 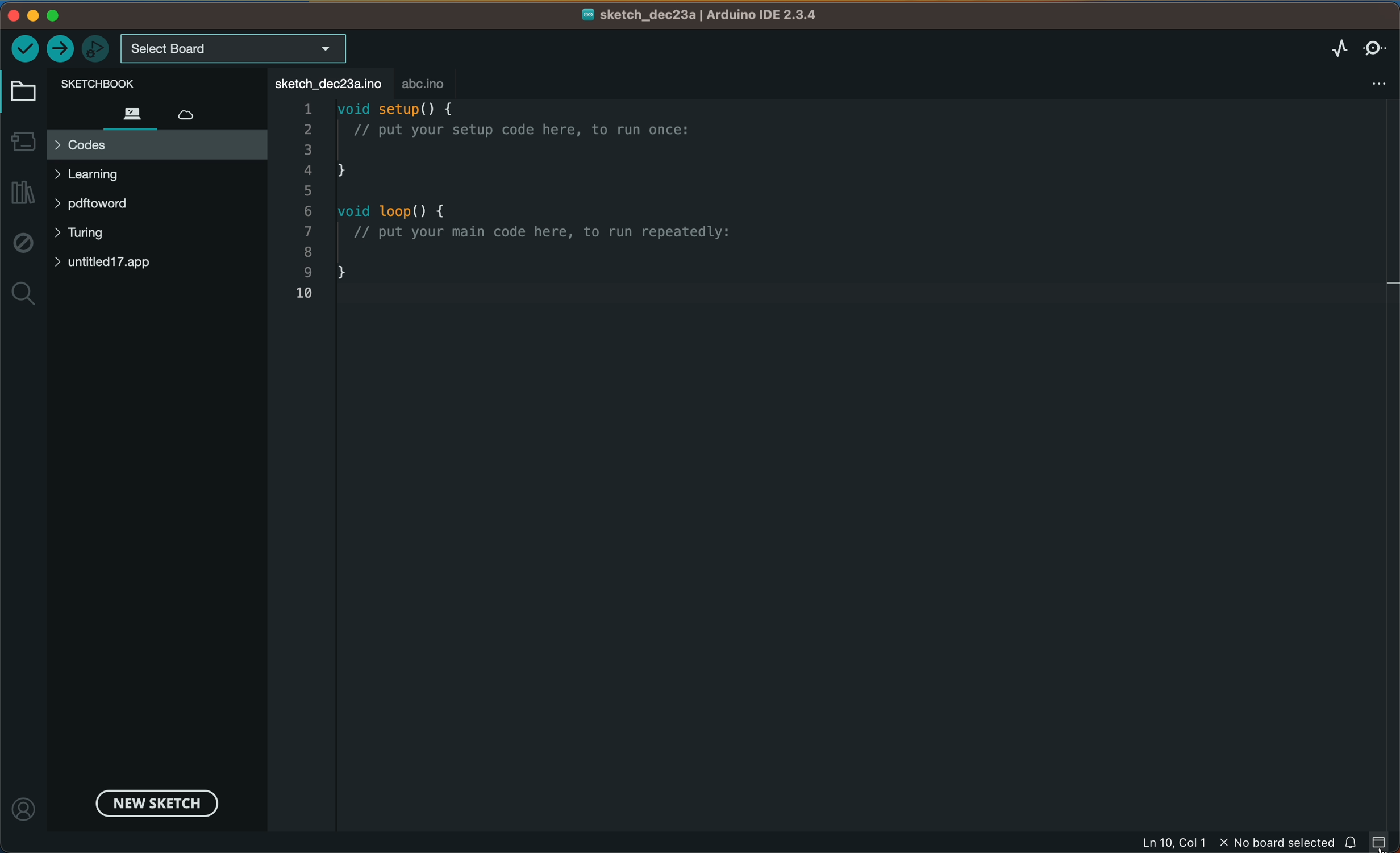 I want to click on codes, so click(x=155, y=144).